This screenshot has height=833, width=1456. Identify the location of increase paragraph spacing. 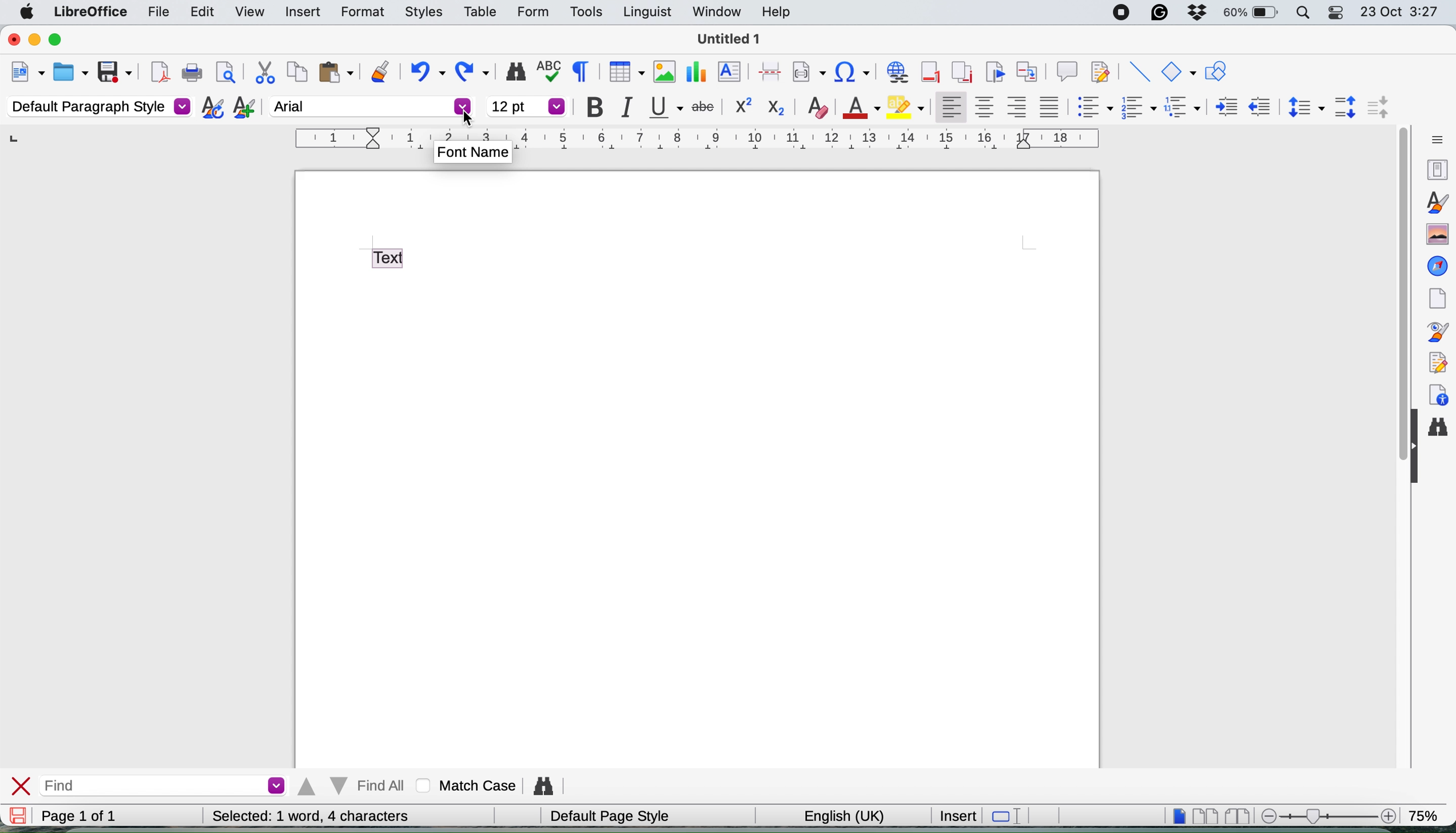
(1347, 106).